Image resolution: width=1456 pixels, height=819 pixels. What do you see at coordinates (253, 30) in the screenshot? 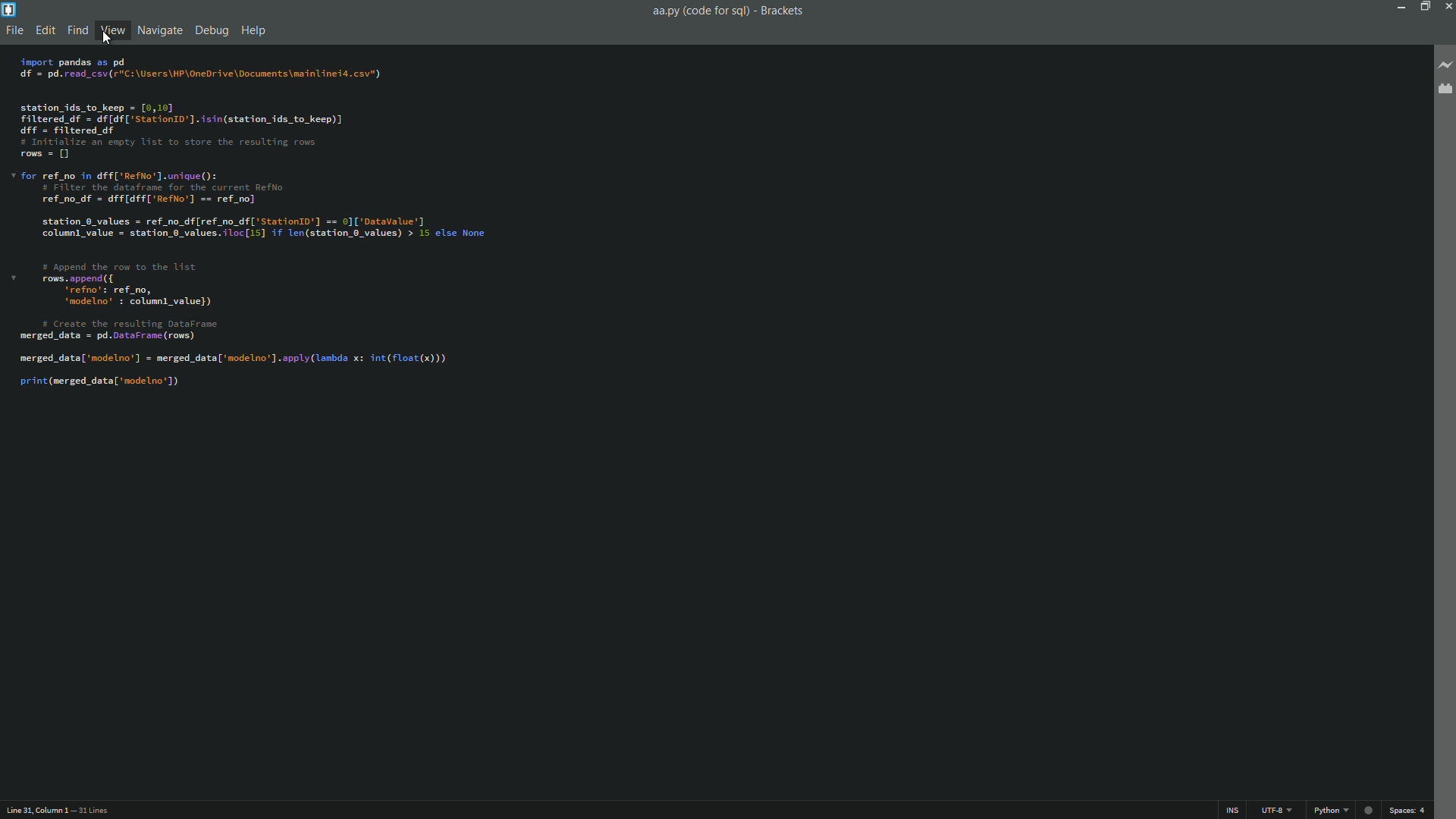
I see `help menu` at bounding box center [253, 30].